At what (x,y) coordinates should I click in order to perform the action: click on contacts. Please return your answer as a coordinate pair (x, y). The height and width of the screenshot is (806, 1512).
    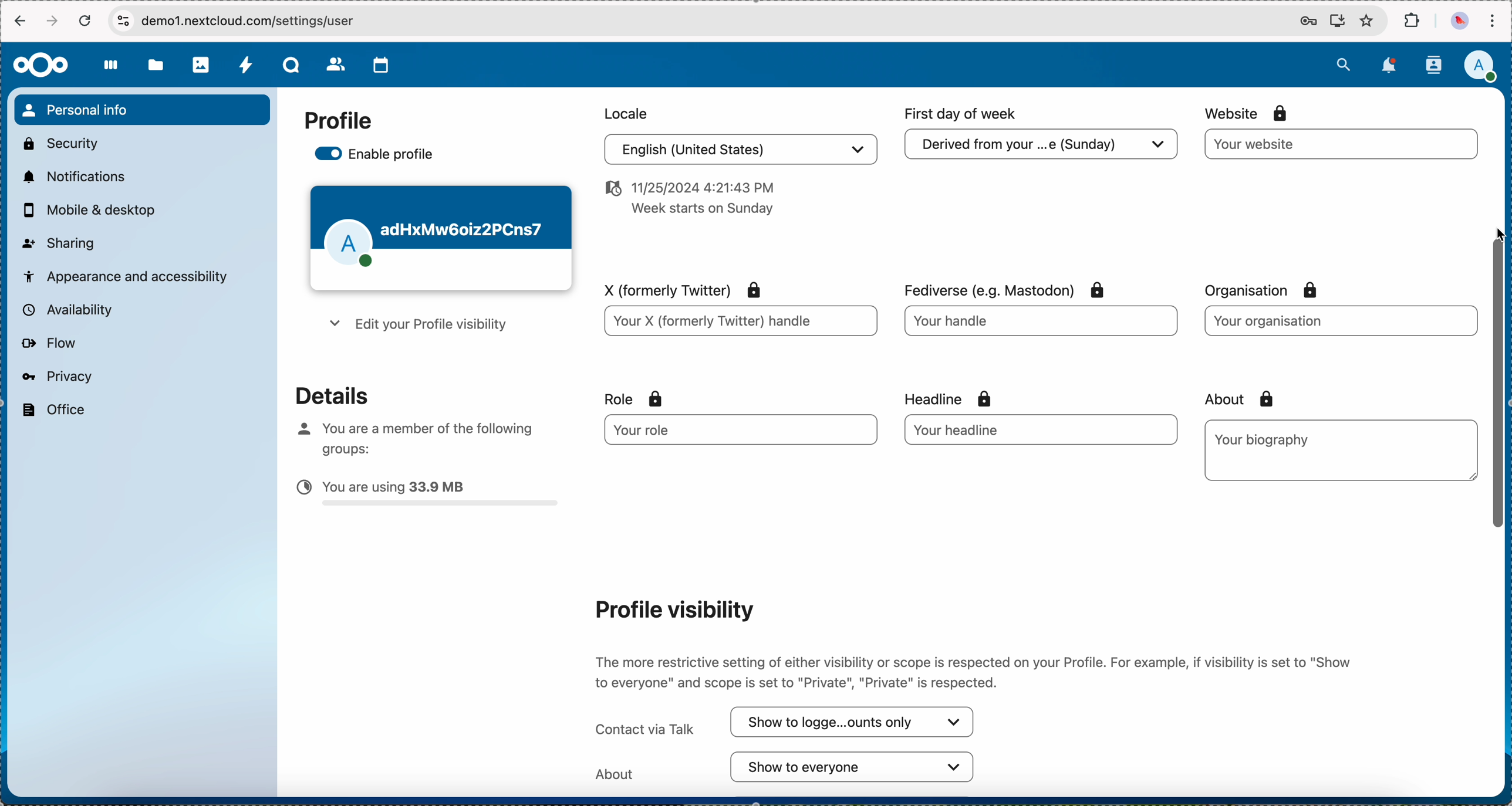
    Looking at the image, I should click on (1433, 65).